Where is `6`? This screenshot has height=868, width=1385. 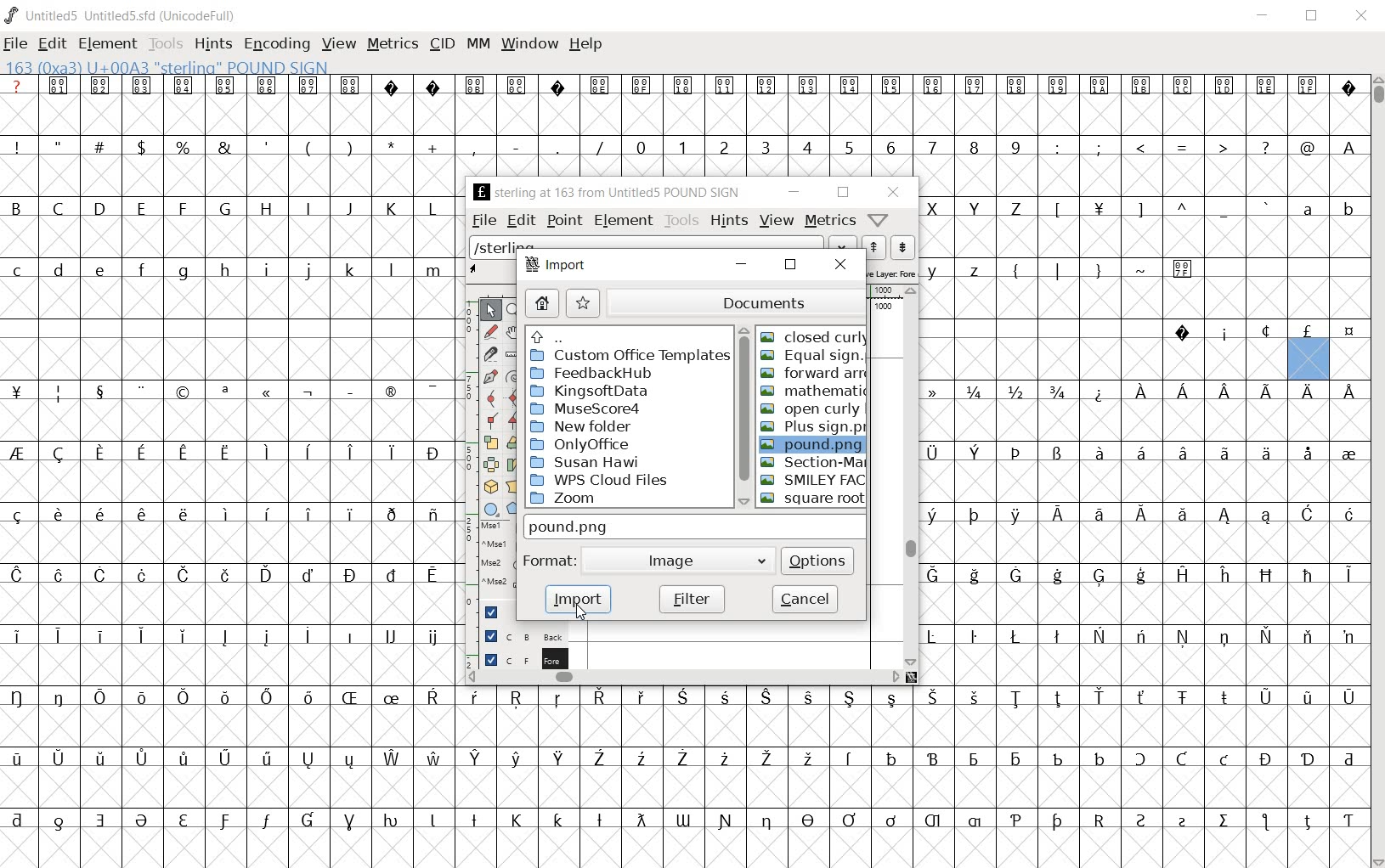
6 is located at coordinates (890, 147).